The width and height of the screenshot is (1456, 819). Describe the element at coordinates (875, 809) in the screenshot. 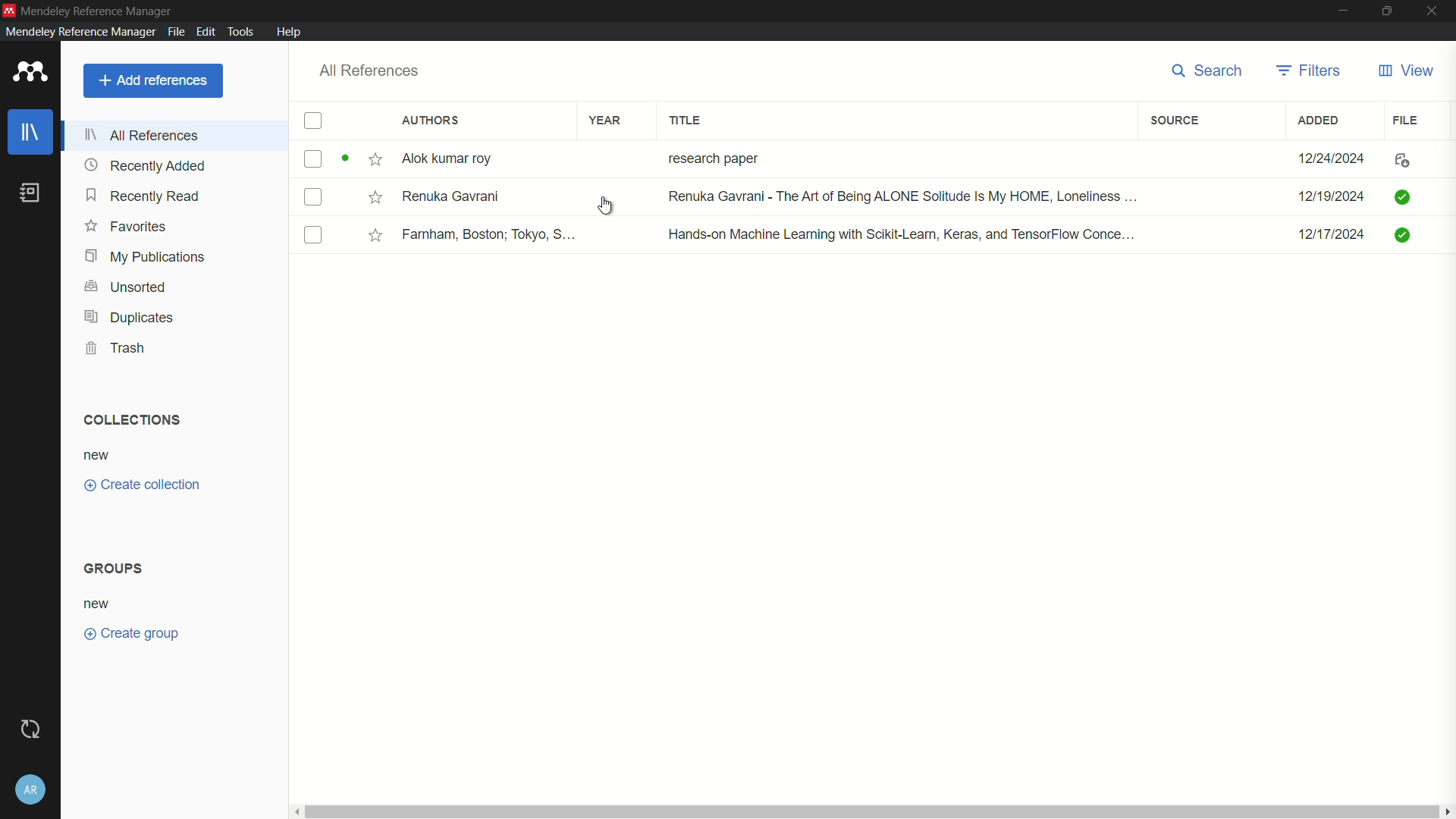

I see `Scroll bar` at that location.